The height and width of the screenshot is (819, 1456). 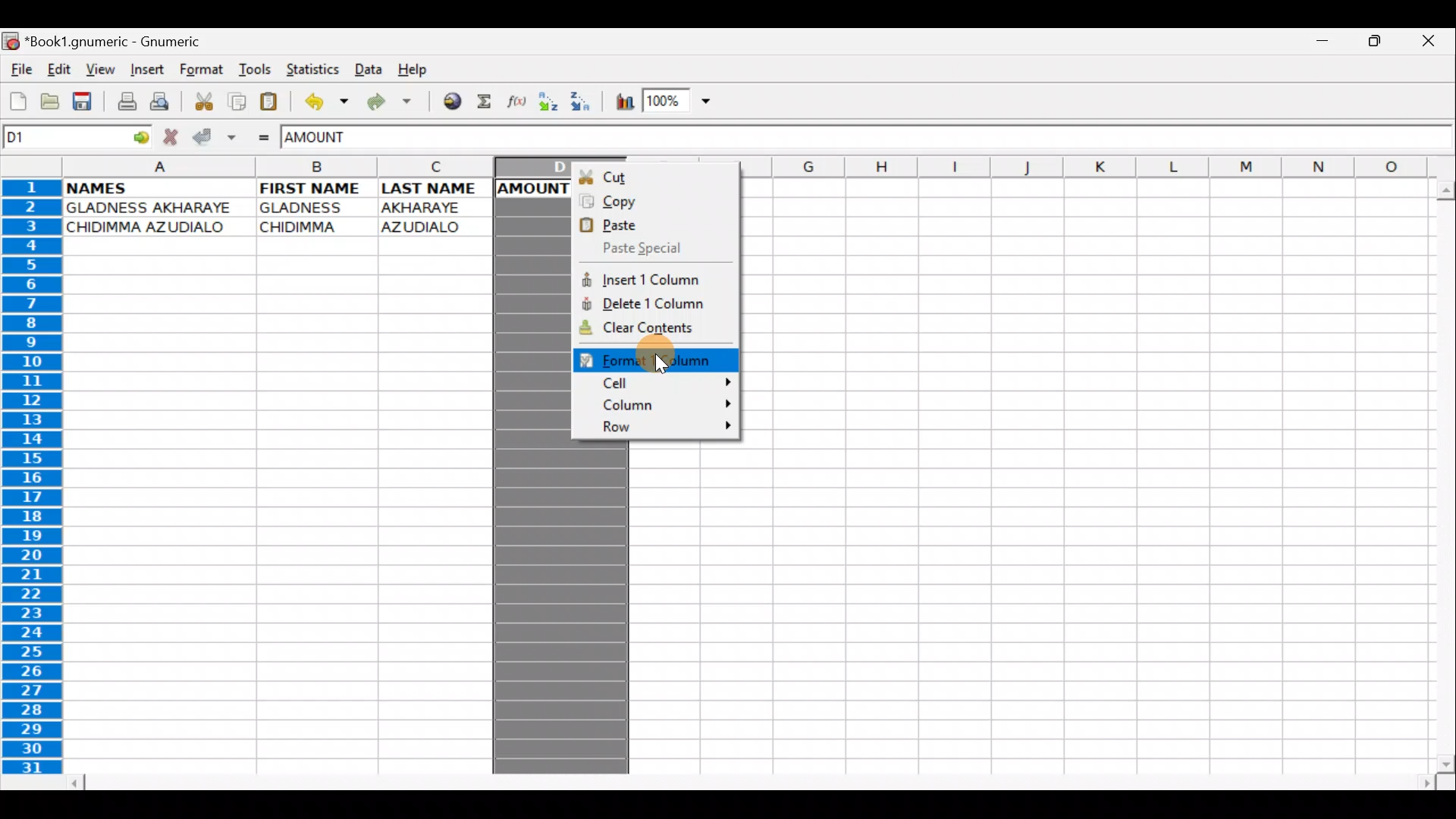 What do you see at coordinates (308, 227) in the screenshot?
I see `CHIDIMMA` at bounding box center [308, 227].